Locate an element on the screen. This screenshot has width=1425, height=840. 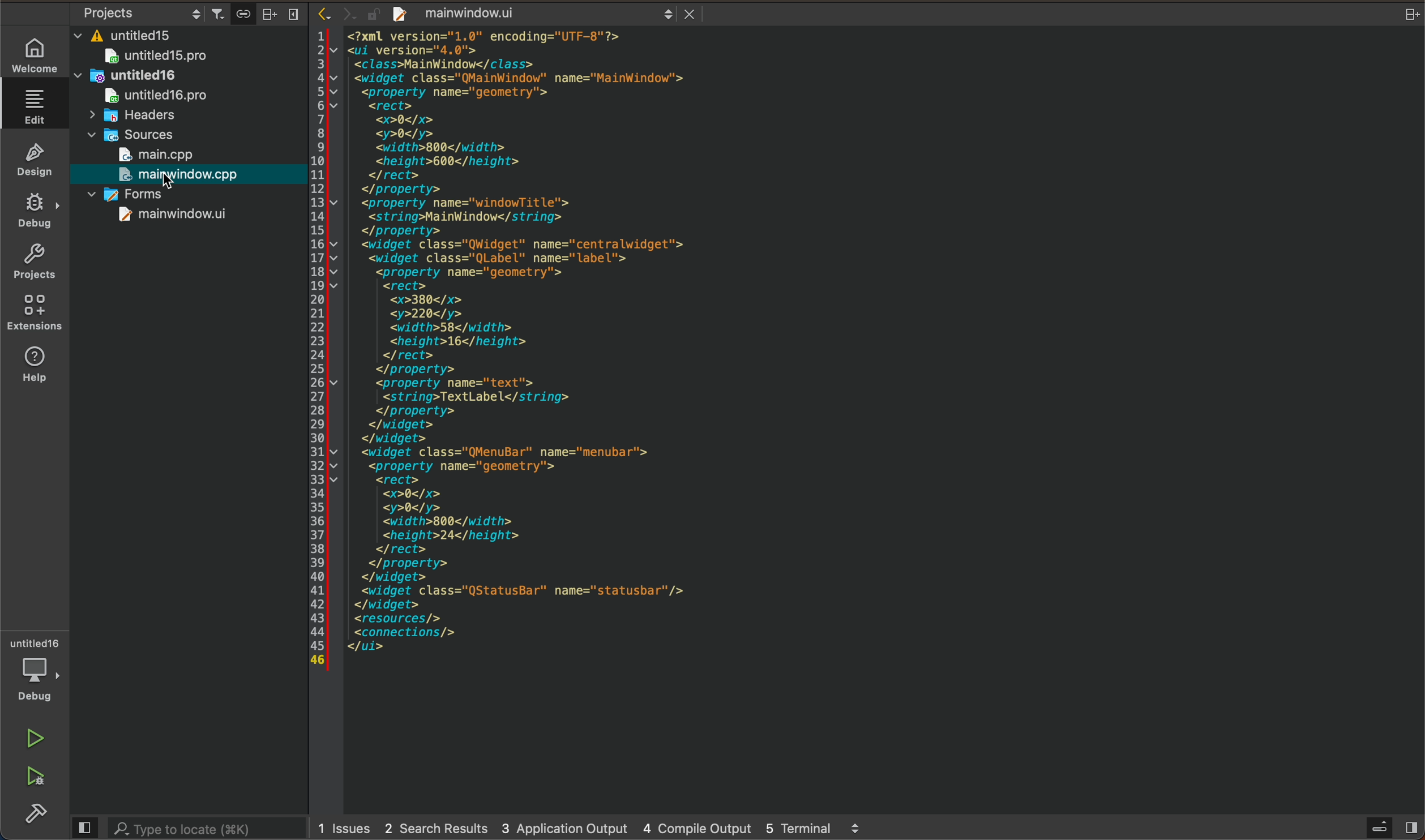
build is located at coordinates (33, 815).